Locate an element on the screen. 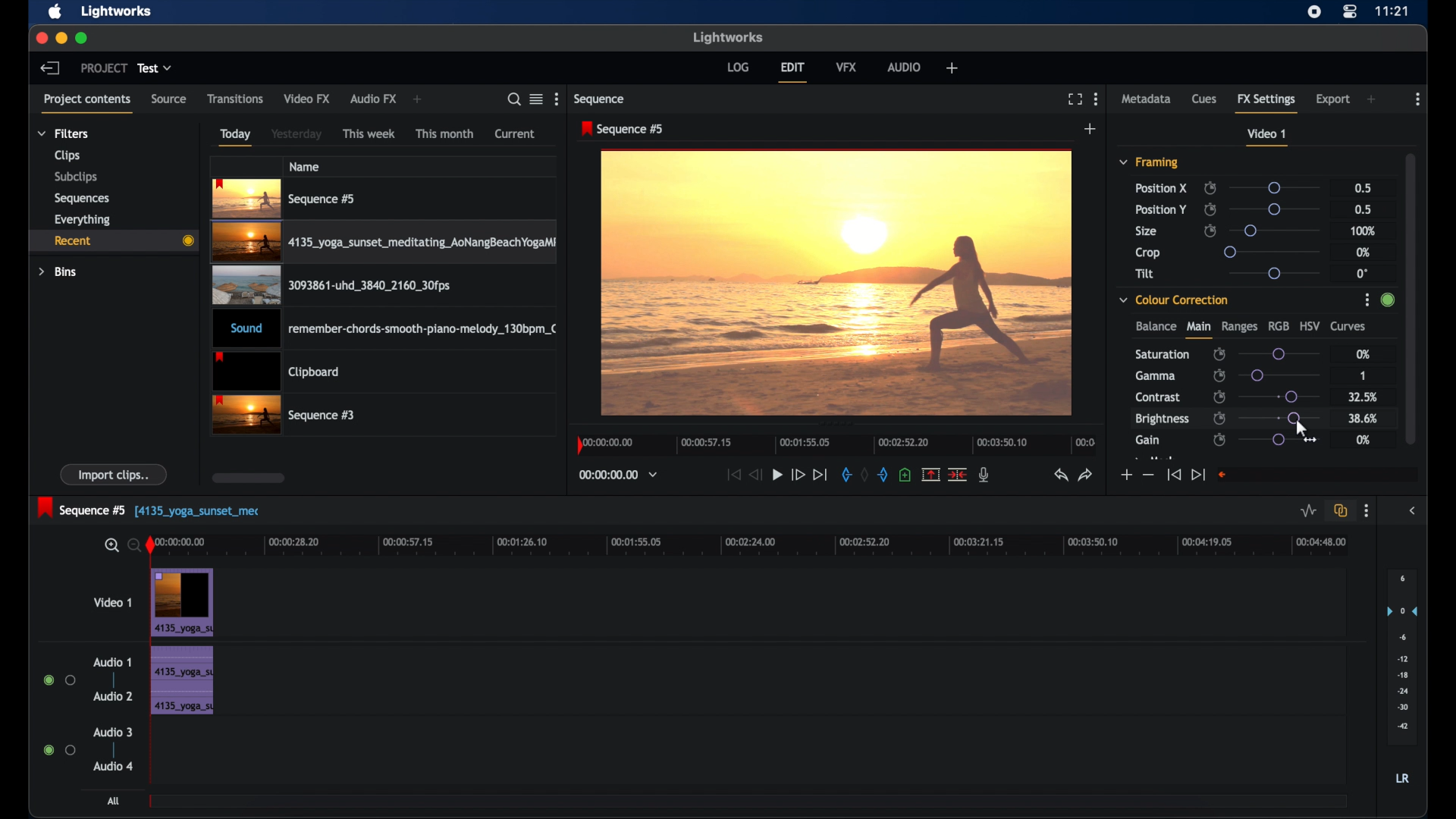 Image resolution: width=1456 pixels, height=819 pixels. slider is located at coordinates (1273, 188).